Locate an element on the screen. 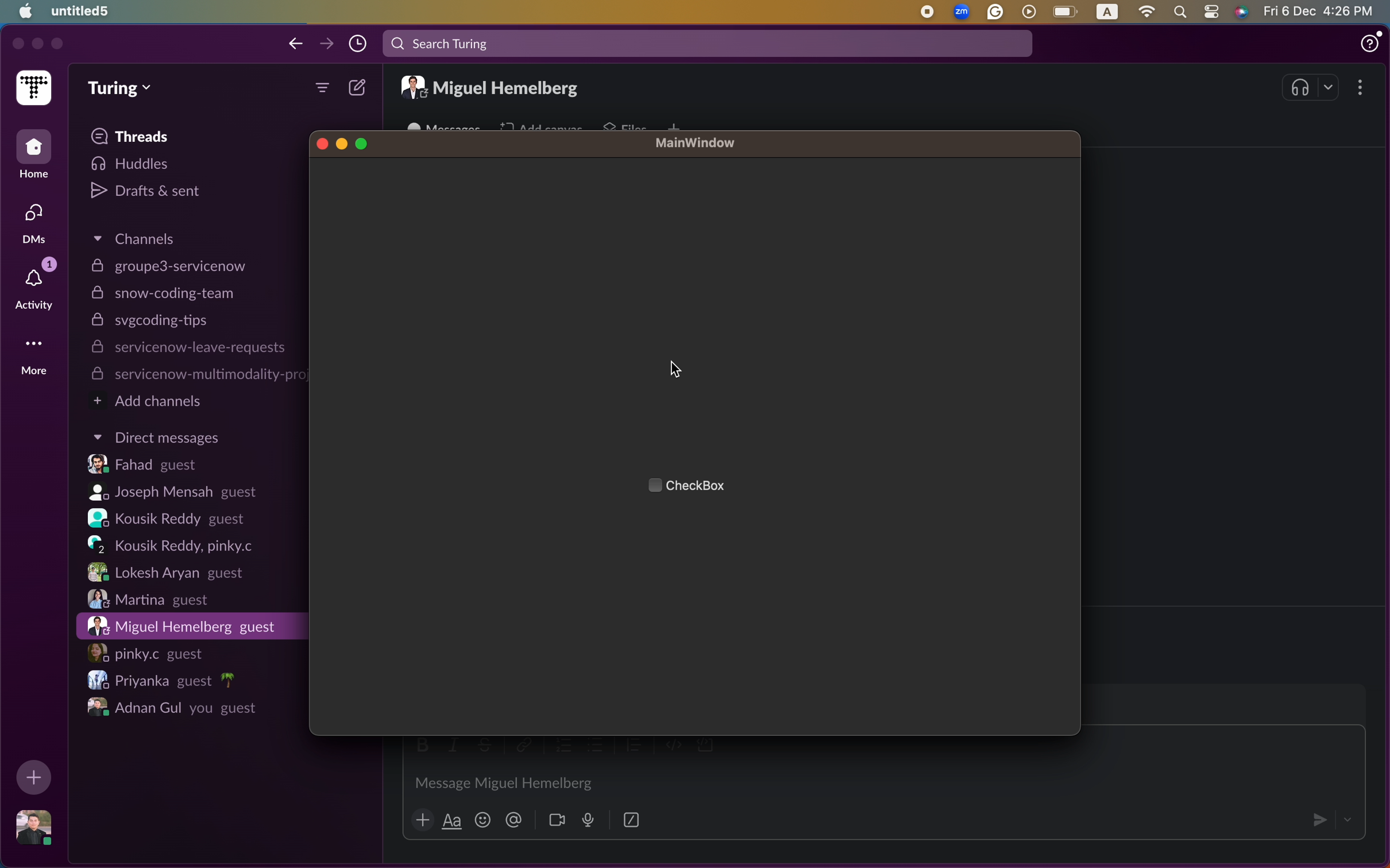 The width and height of the screenshot is (1390, 868). edit is located at coordinates (358, 88).